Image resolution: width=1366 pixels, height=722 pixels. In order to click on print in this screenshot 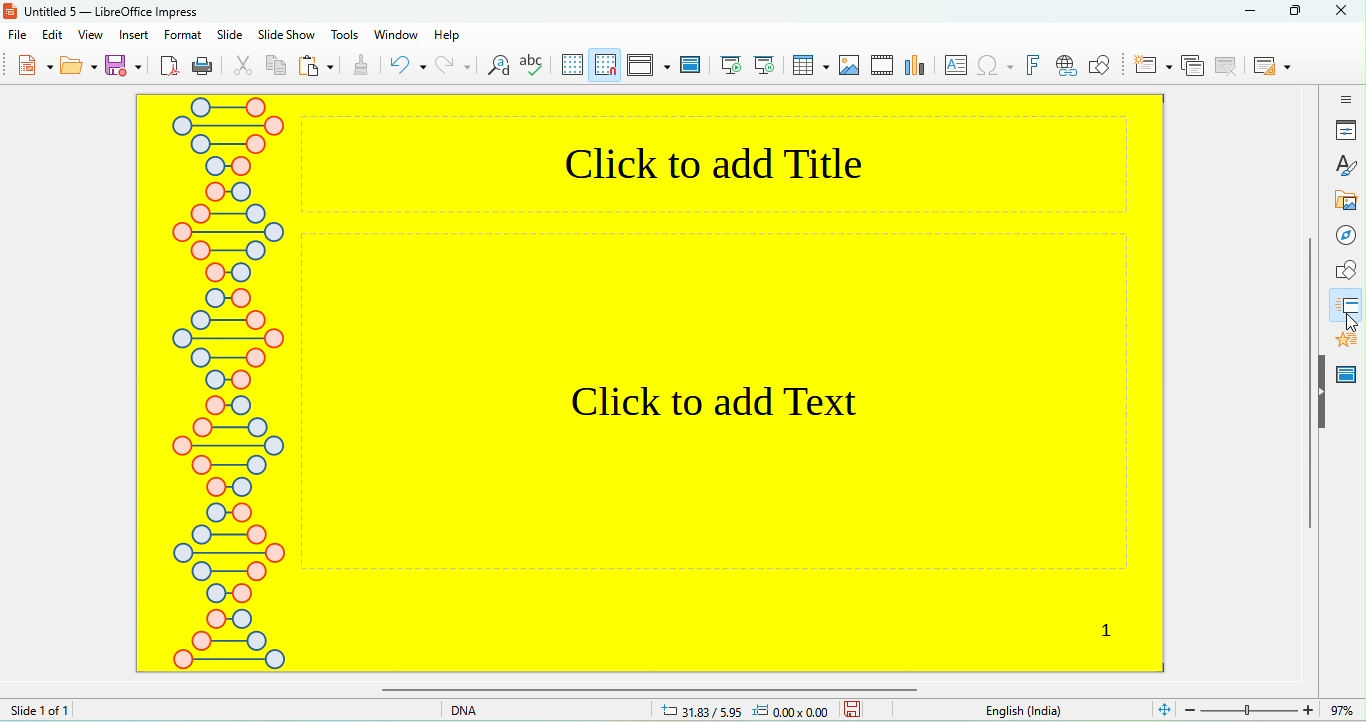, I will do `click(205, 68)`.